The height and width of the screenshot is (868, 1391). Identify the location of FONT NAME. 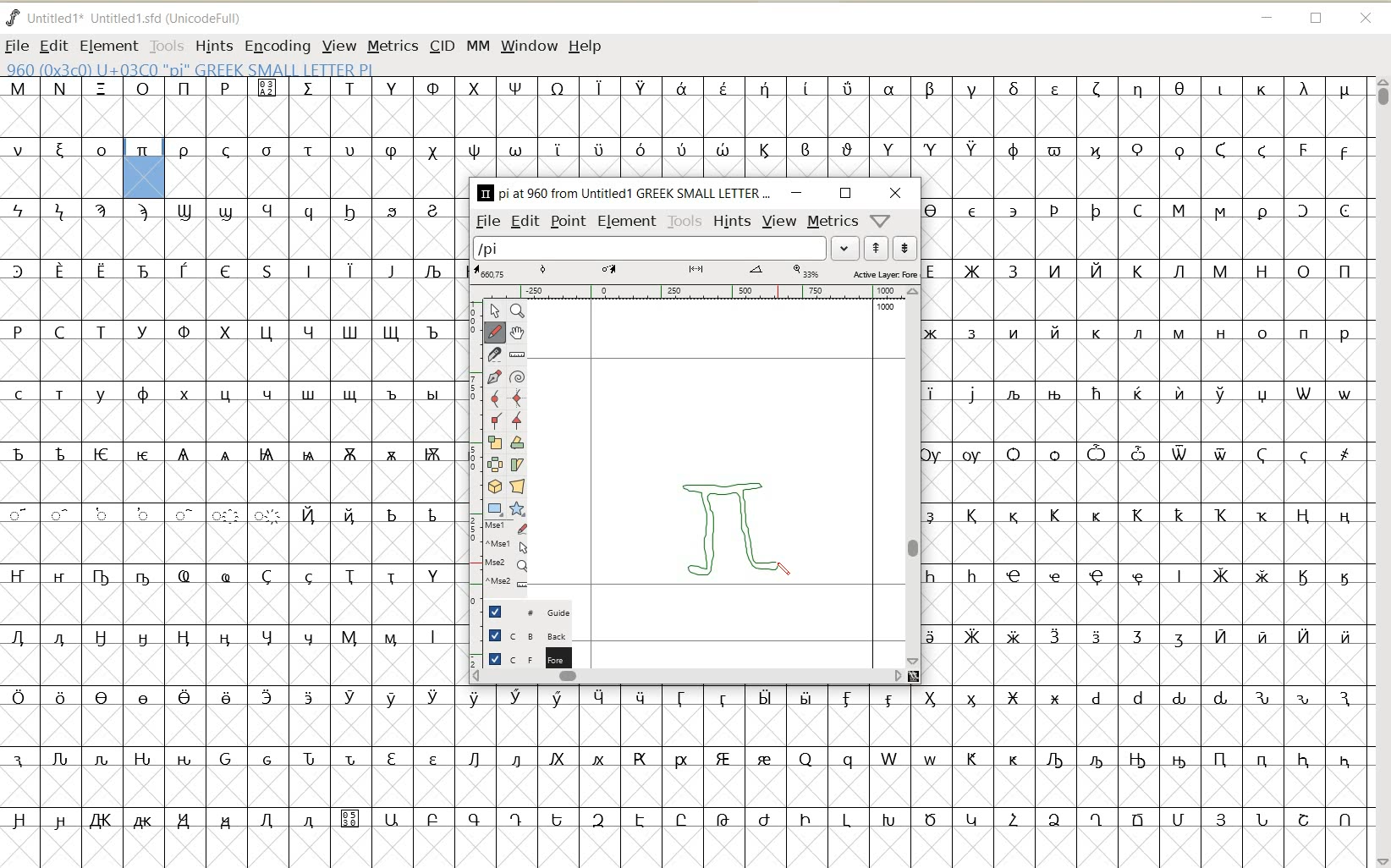
(127, 18).